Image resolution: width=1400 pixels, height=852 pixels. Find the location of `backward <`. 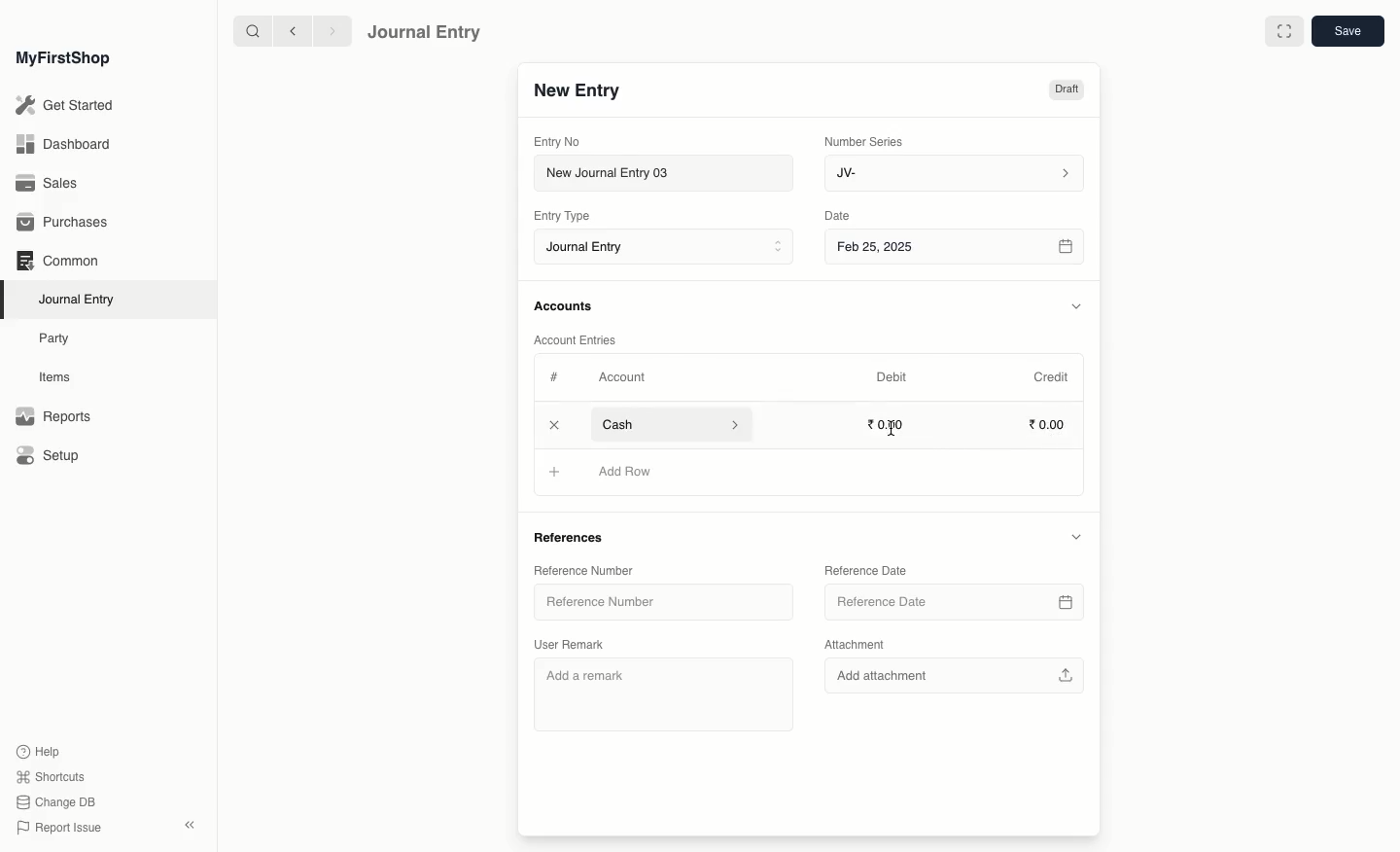

backward < is located at coordinates (288, 31).